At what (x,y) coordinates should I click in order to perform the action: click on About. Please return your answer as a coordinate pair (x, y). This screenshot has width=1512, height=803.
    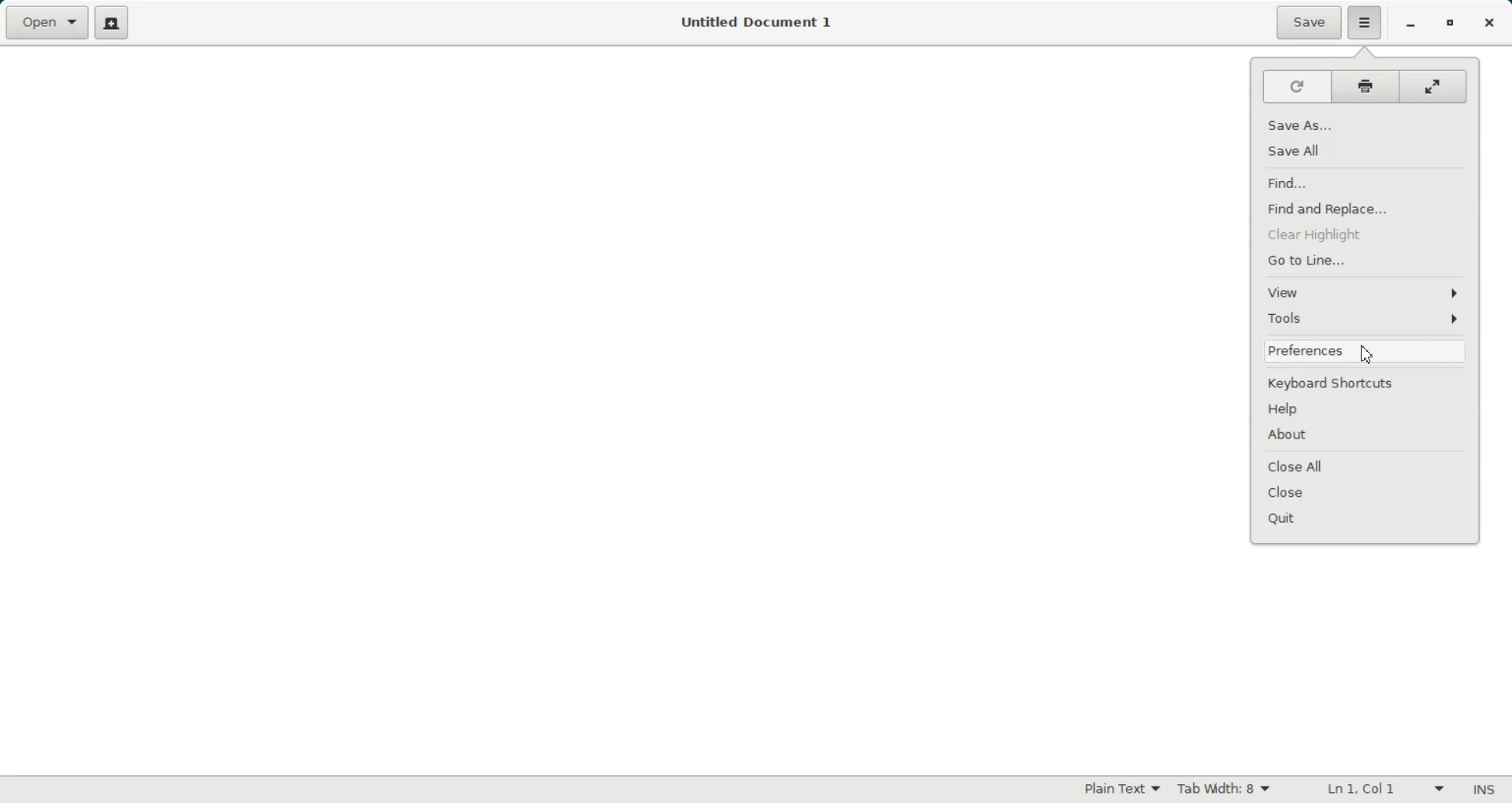
    Looking at the image, I should click on (1367, 435).